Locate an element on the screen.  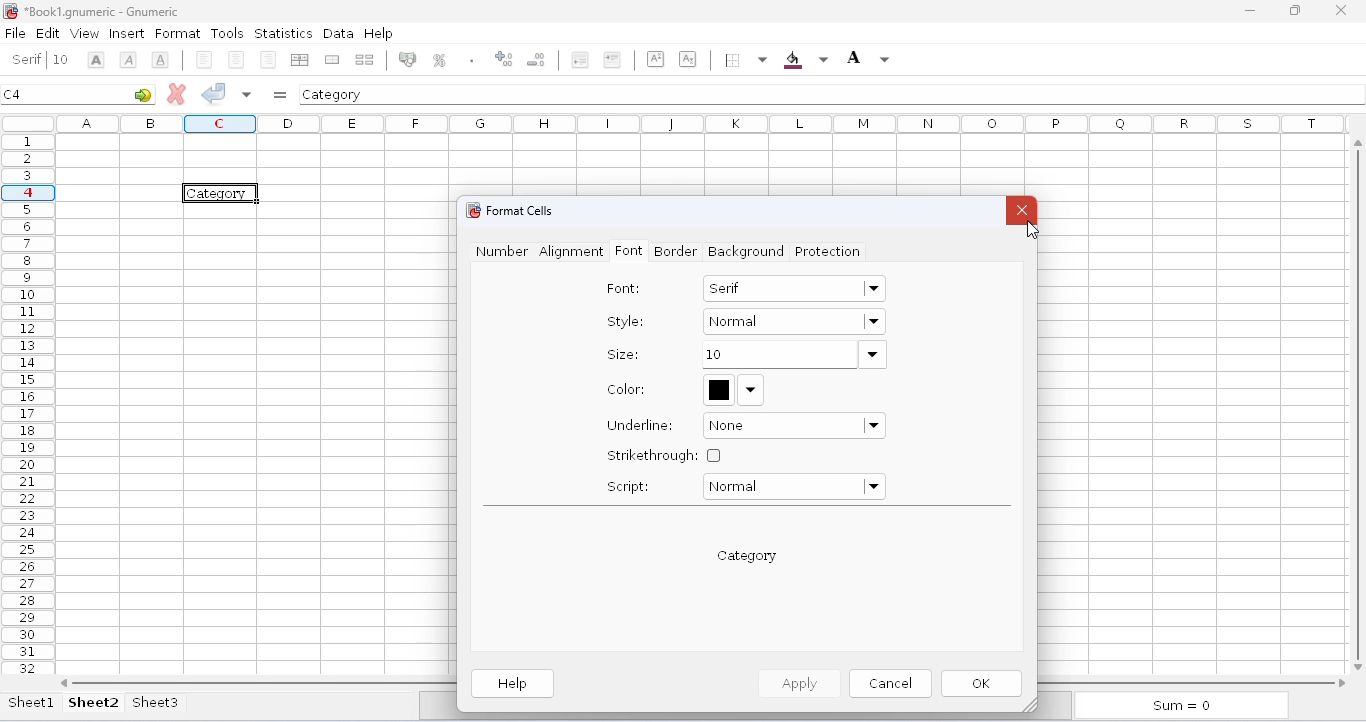
increase the number of decimals displayed is located at coordinates (538, 59).